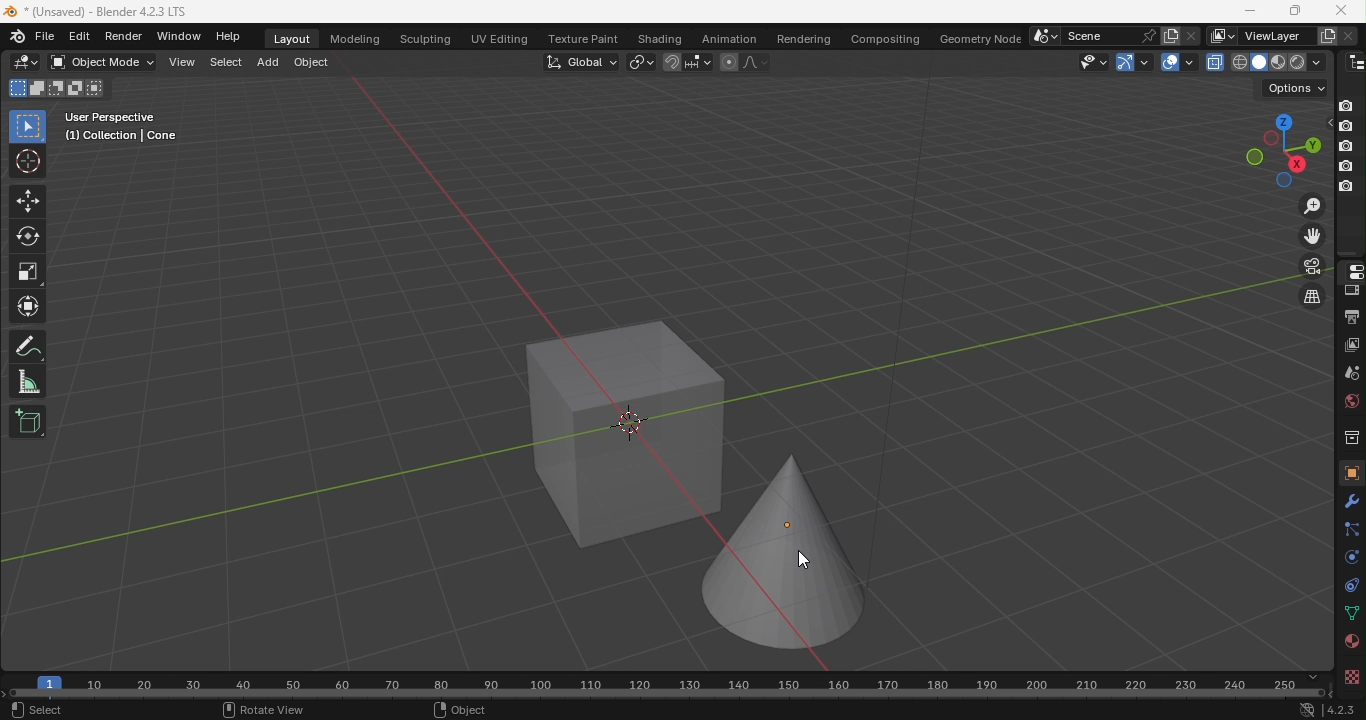 Image resolution: width=1366 pixels, height=720 pixels. I want to click on Transformation orientation, so click(584, 60).